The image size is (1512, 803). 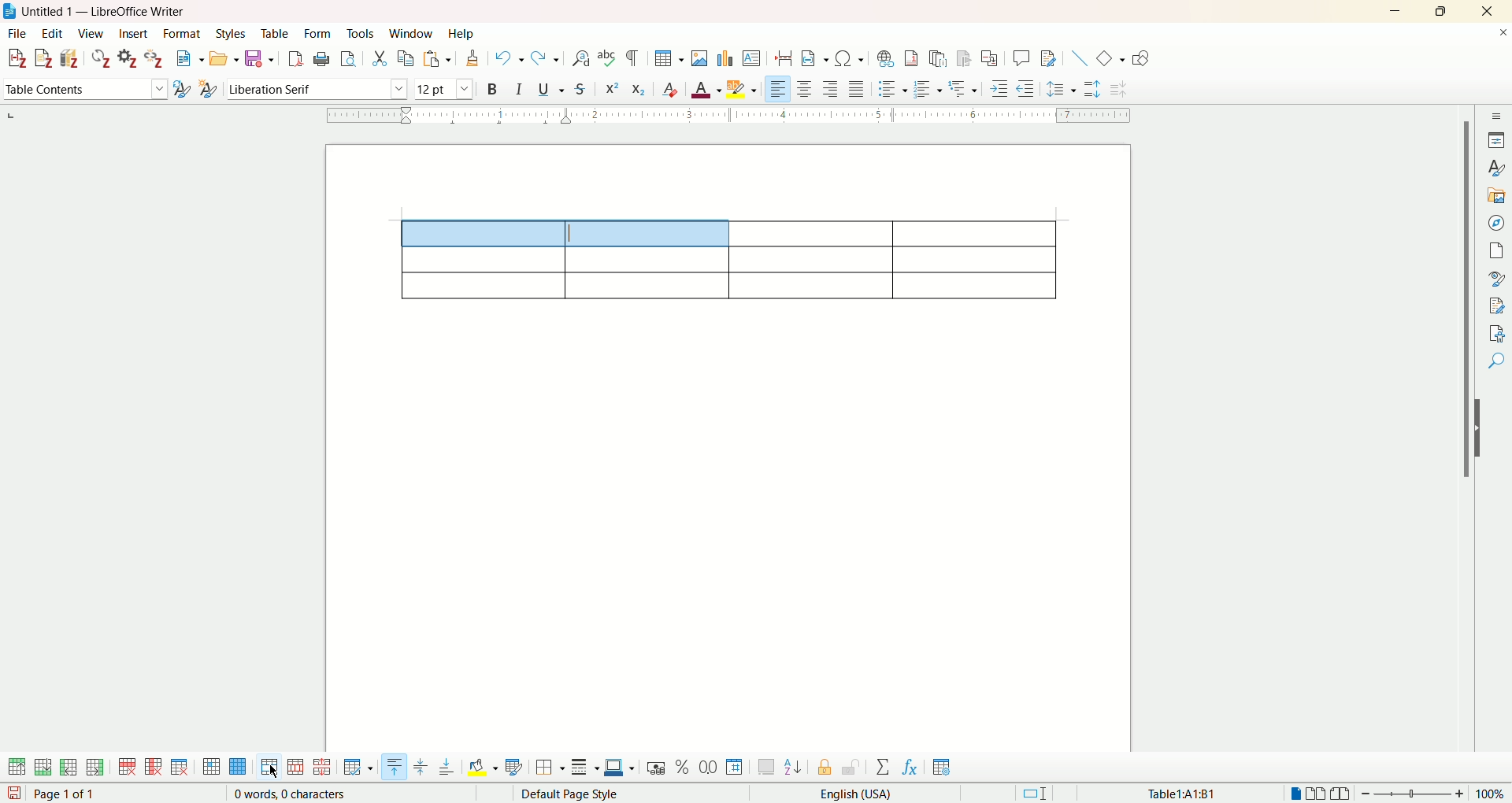 What do you see at coordinates (19, 32) in the screenshot?
I see `file` at bounding box center [19, 32].